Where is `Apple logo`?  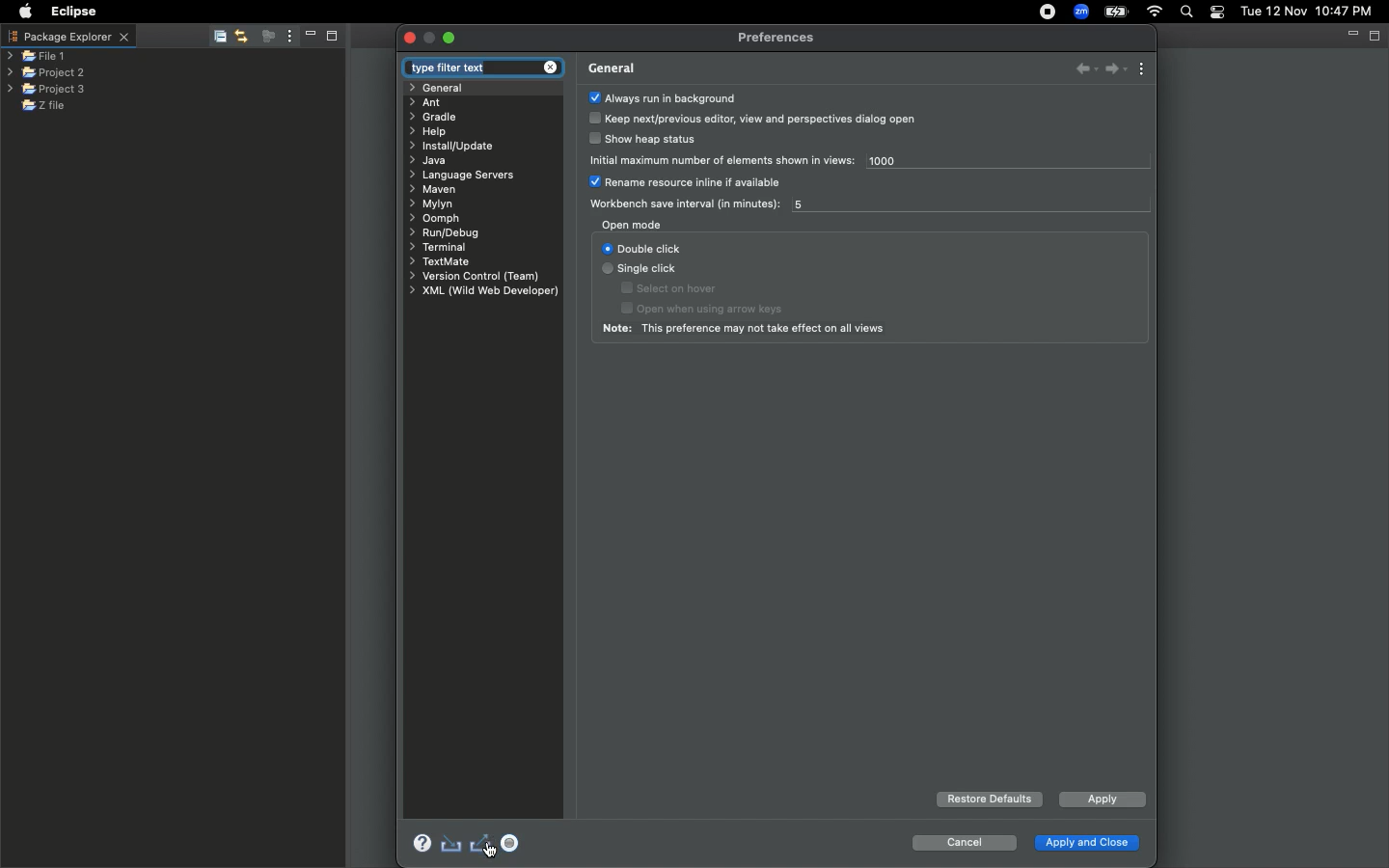
Apple logo is located at coordinates (25, 14).